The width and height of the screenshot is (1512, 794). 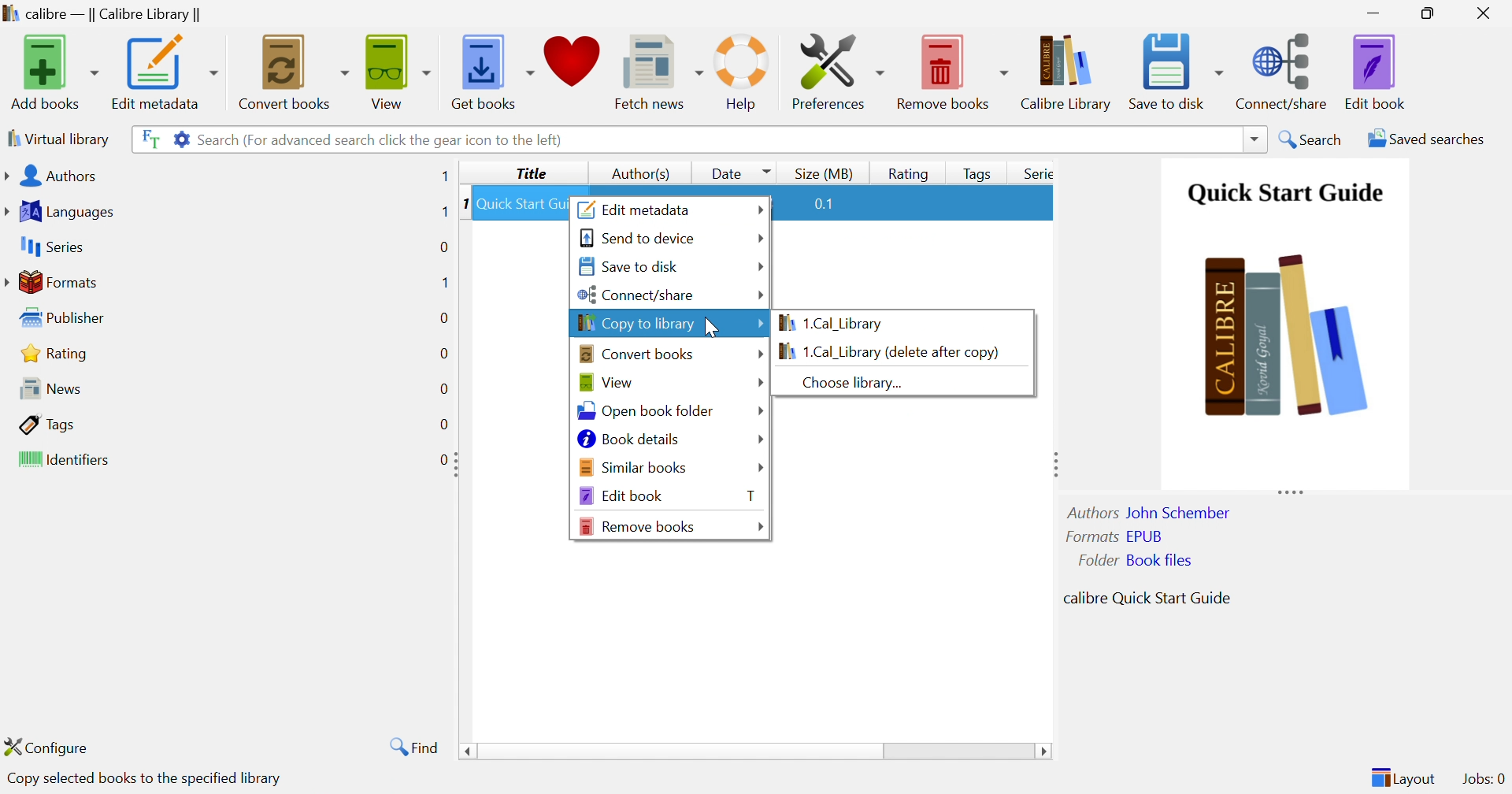 What do you see at coordinates (1130, 560) in the screenshot?
I see `Folder Book files` at bounding box center [1130, 560].